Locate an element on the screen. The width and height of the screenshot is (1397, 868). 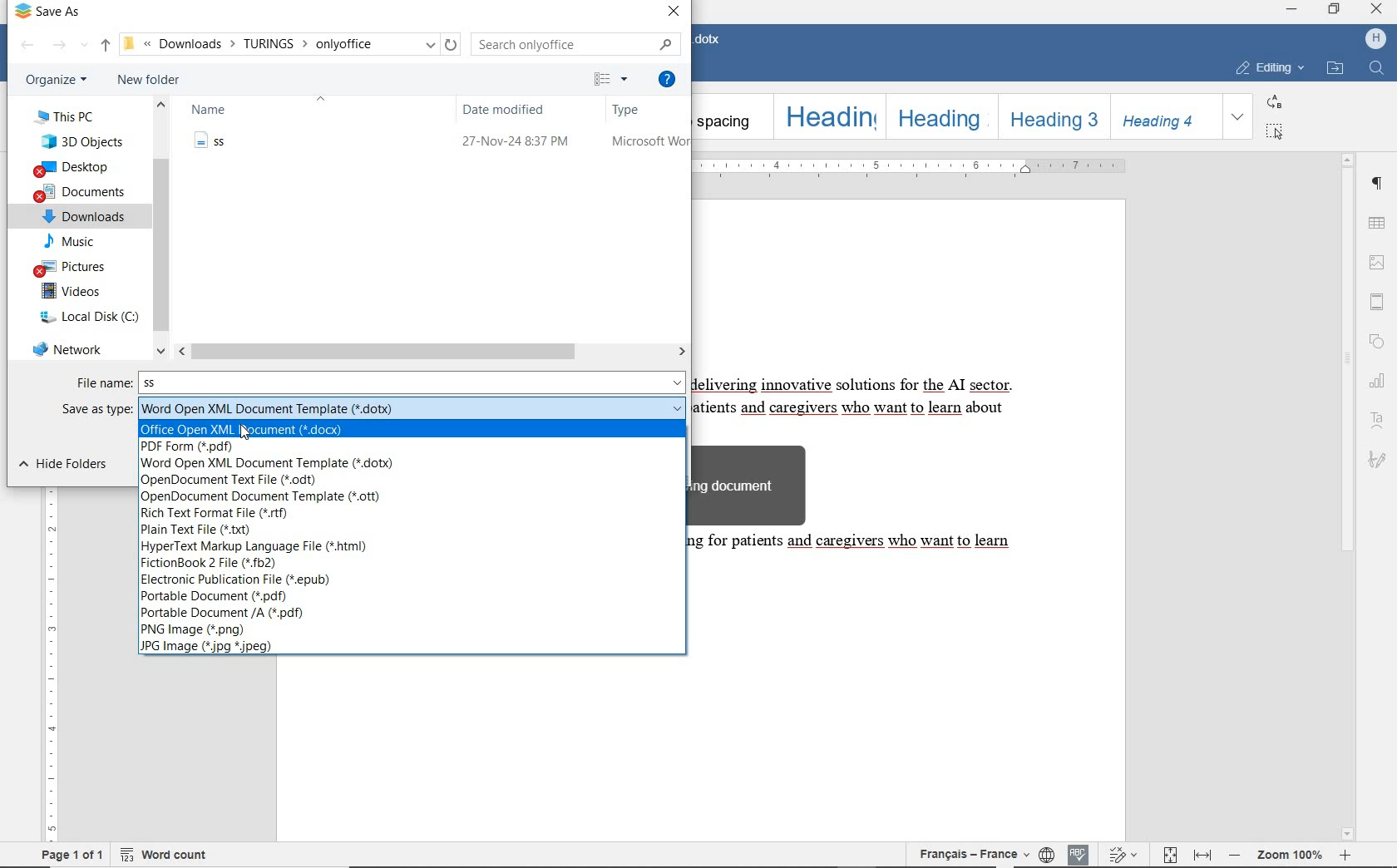
SELECT ALL is located at coordinates (1275, 131).